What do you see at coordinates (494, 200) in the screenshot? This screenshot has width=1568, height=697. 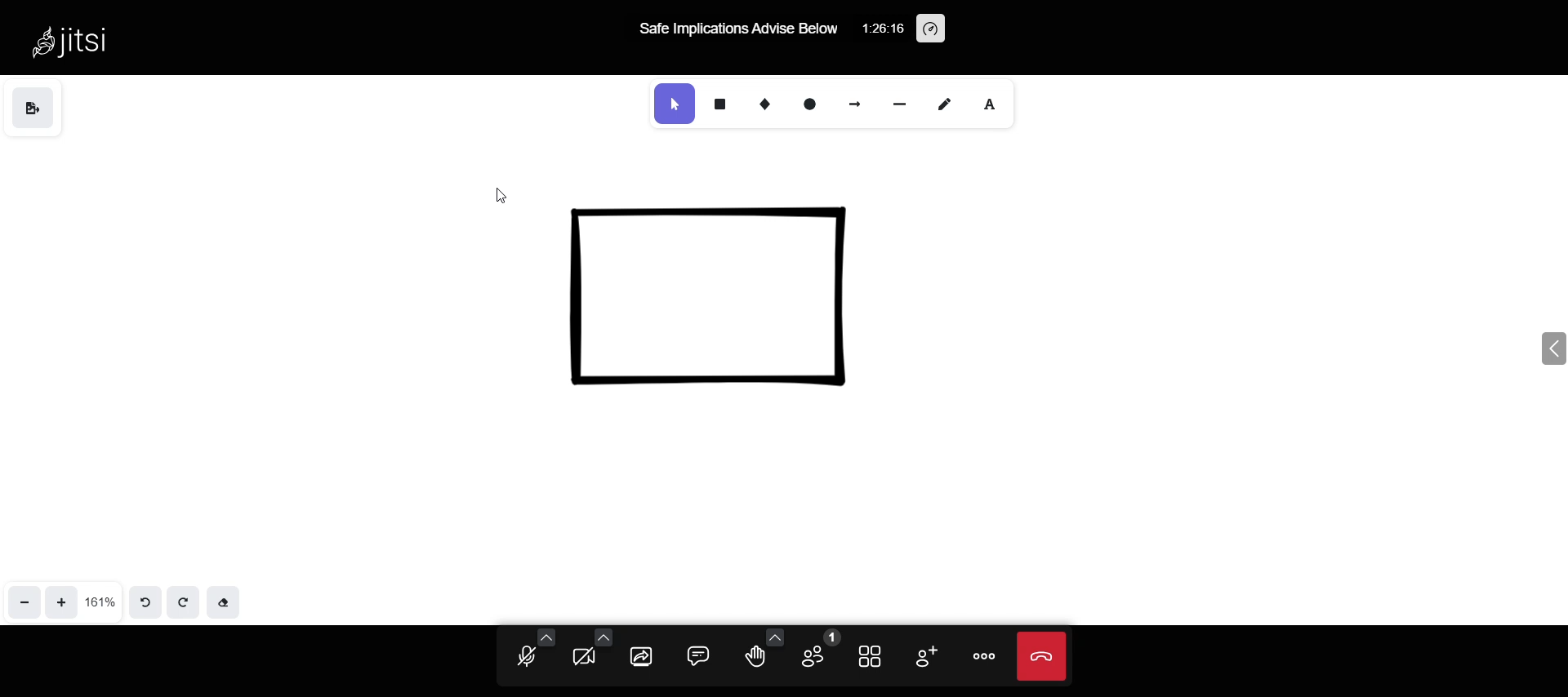 I see `cursor` at bounding box center [494, 200].